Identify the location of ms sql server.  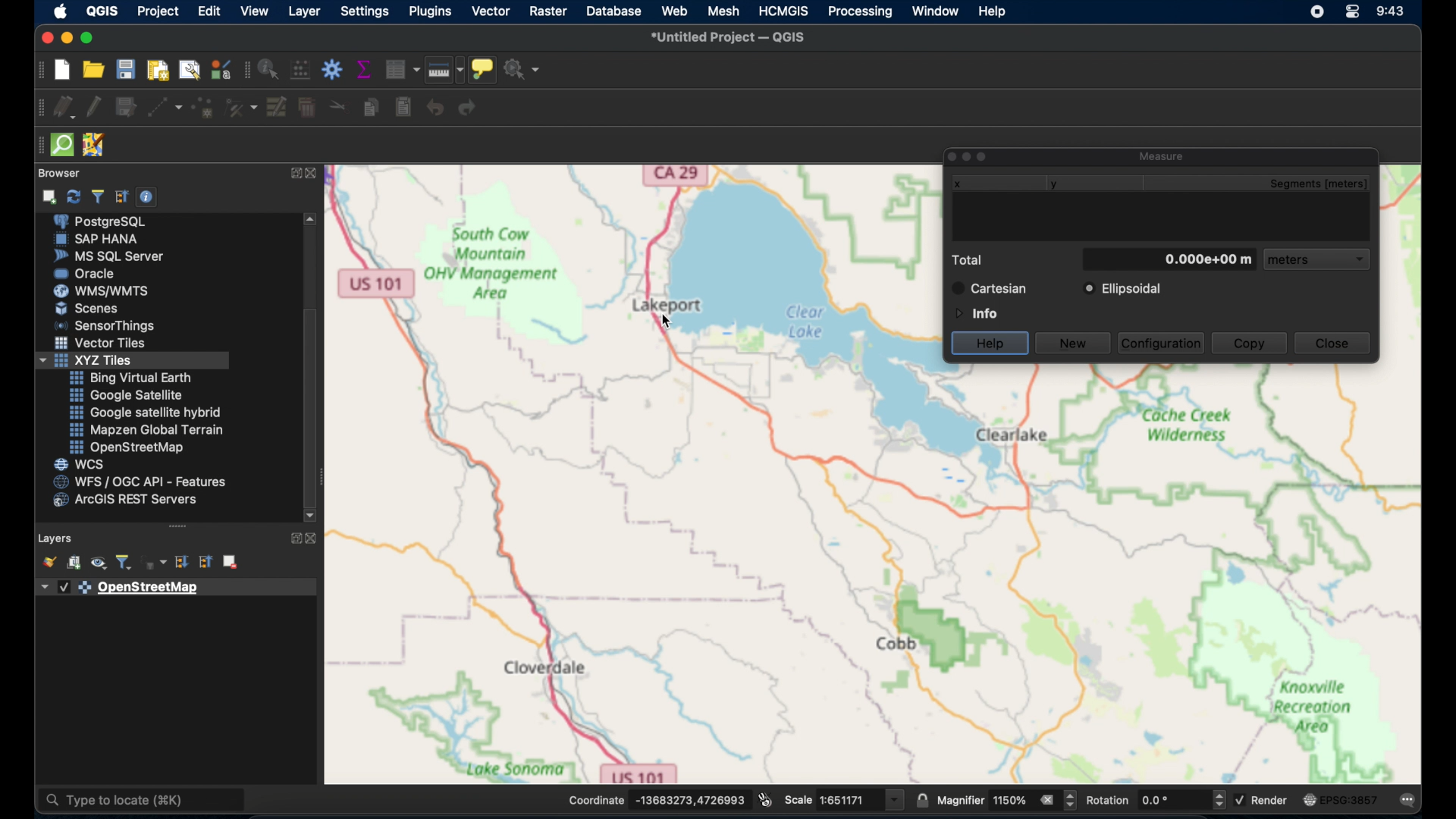
(108, 256).